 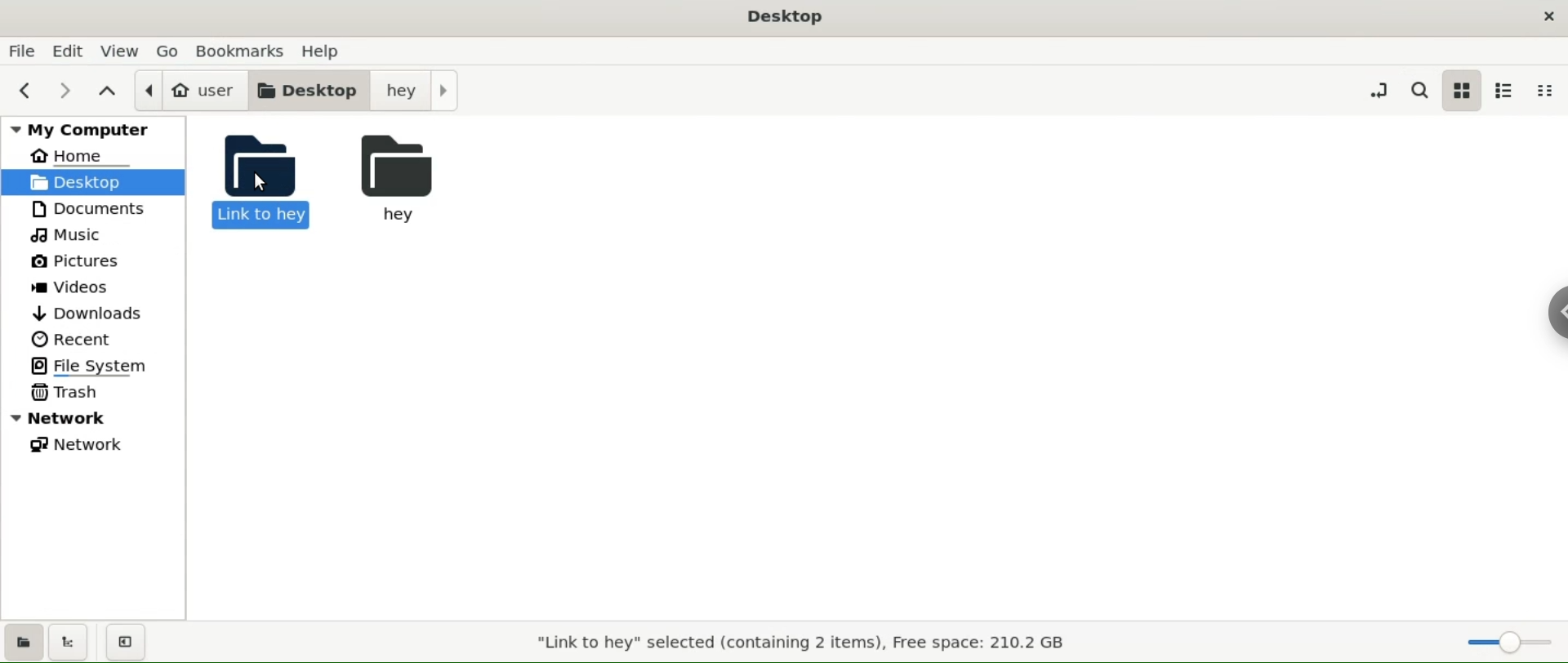 What do you see at coordinates (322, 49) in the screenshot?
I see `help` at bounding box center [322, 49].